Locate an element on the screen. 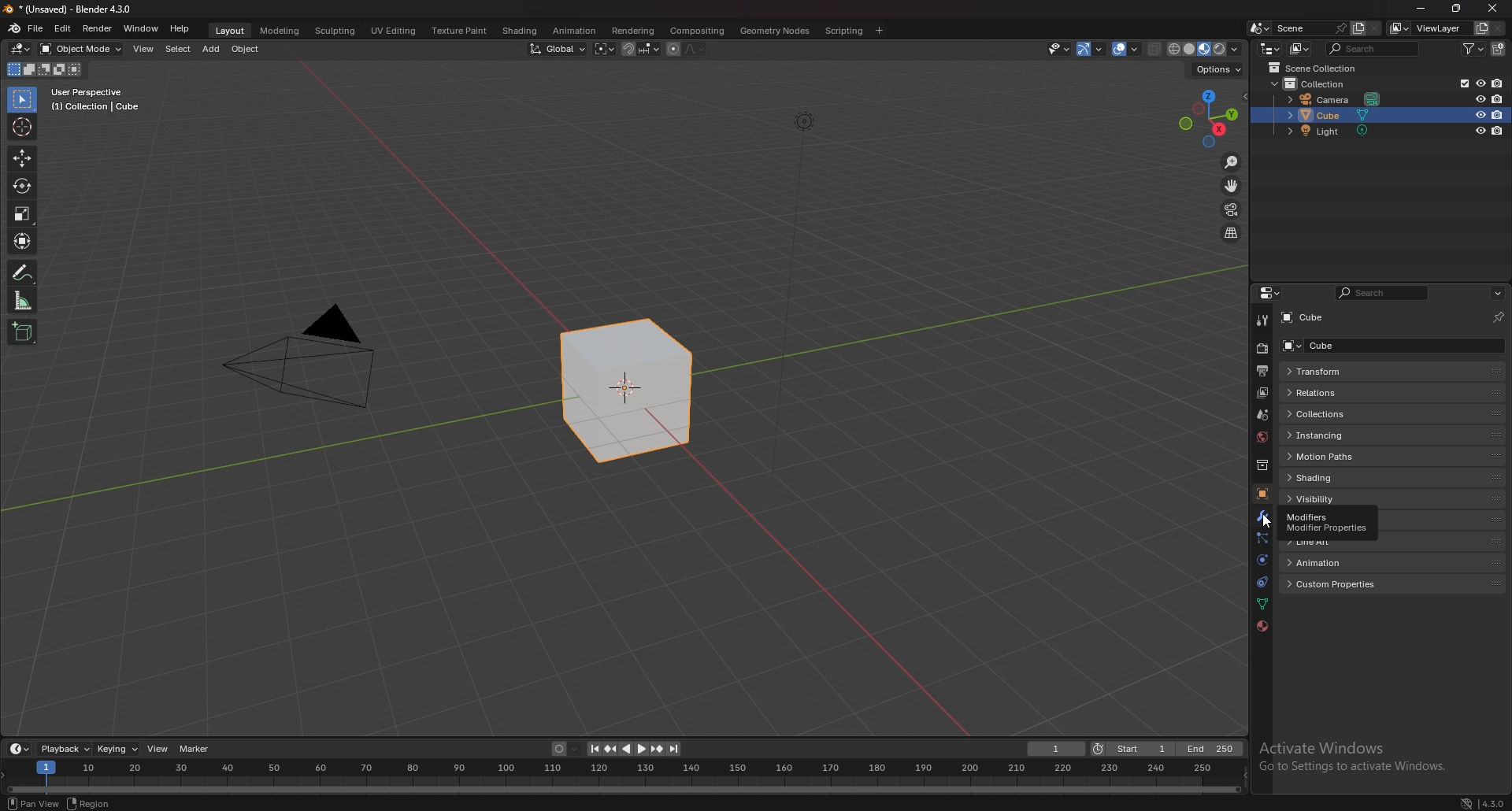 The width and height of the screenshot is (1512, 811). view layer is located at coordinates (1428, 28).